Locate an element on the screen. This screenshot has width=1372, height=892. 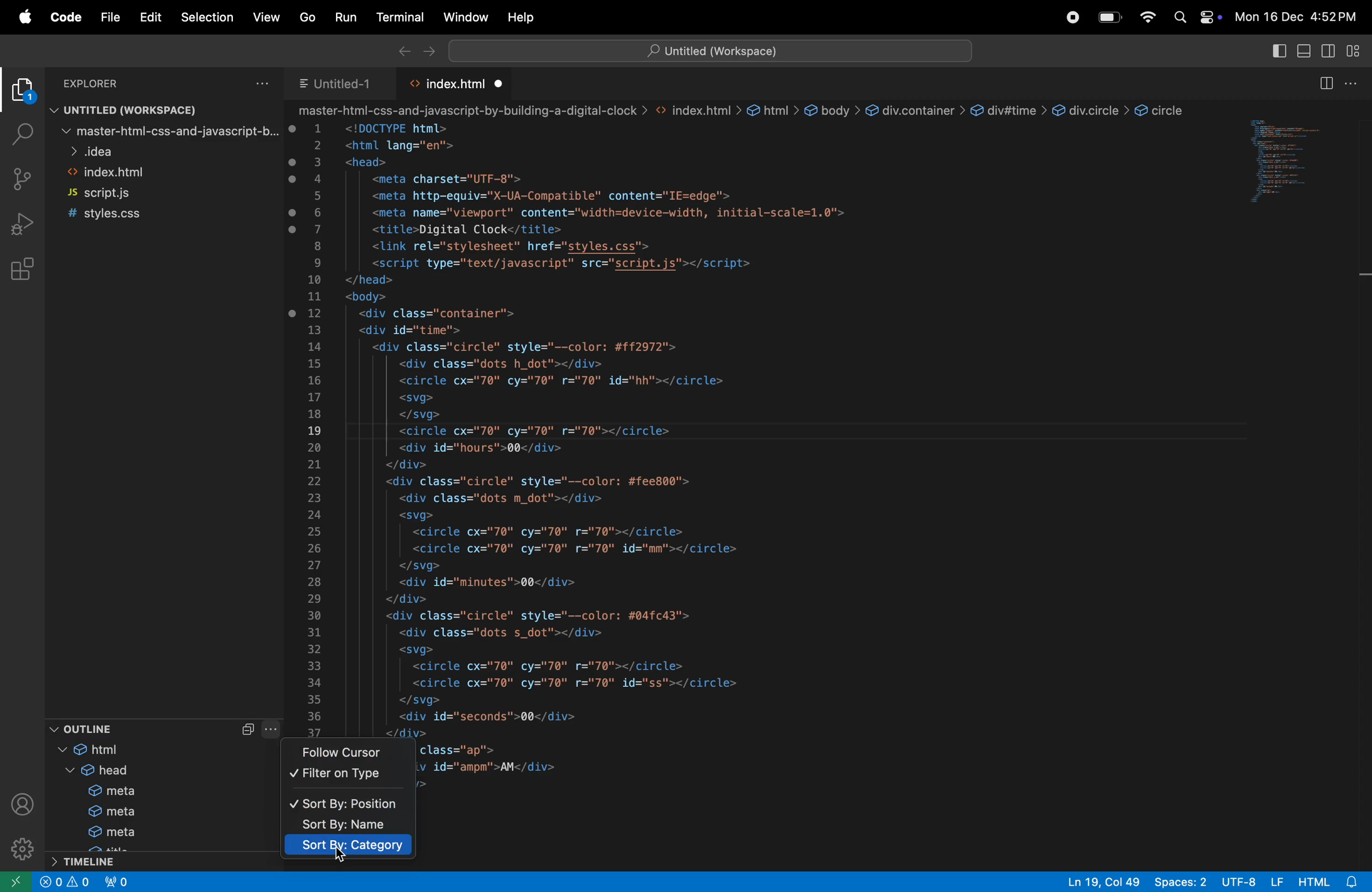
idea is located at coordinates (166, 151).